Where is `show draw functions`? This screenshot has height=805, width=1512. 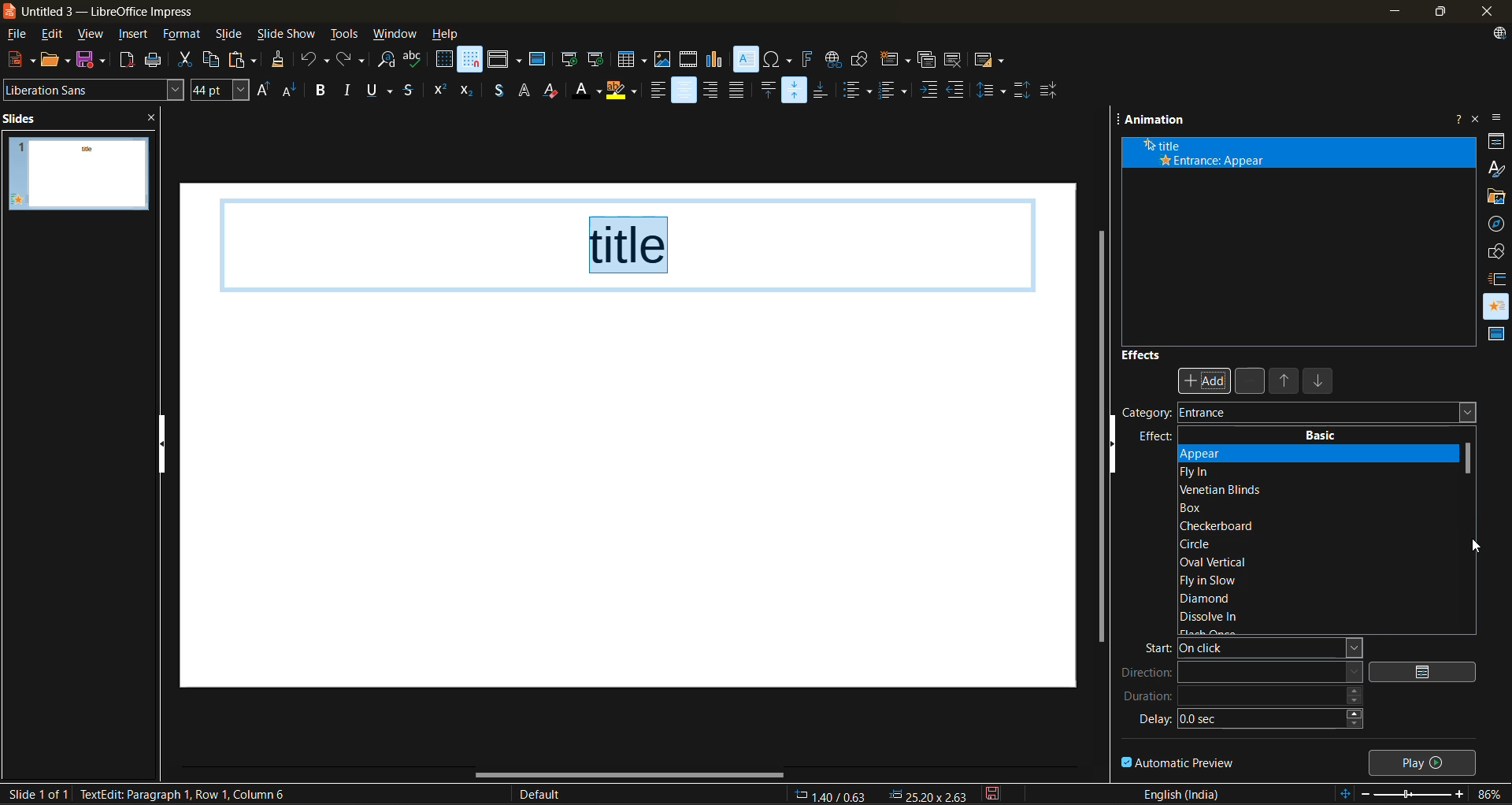
show draw functions is located at coordinates (861, 57).